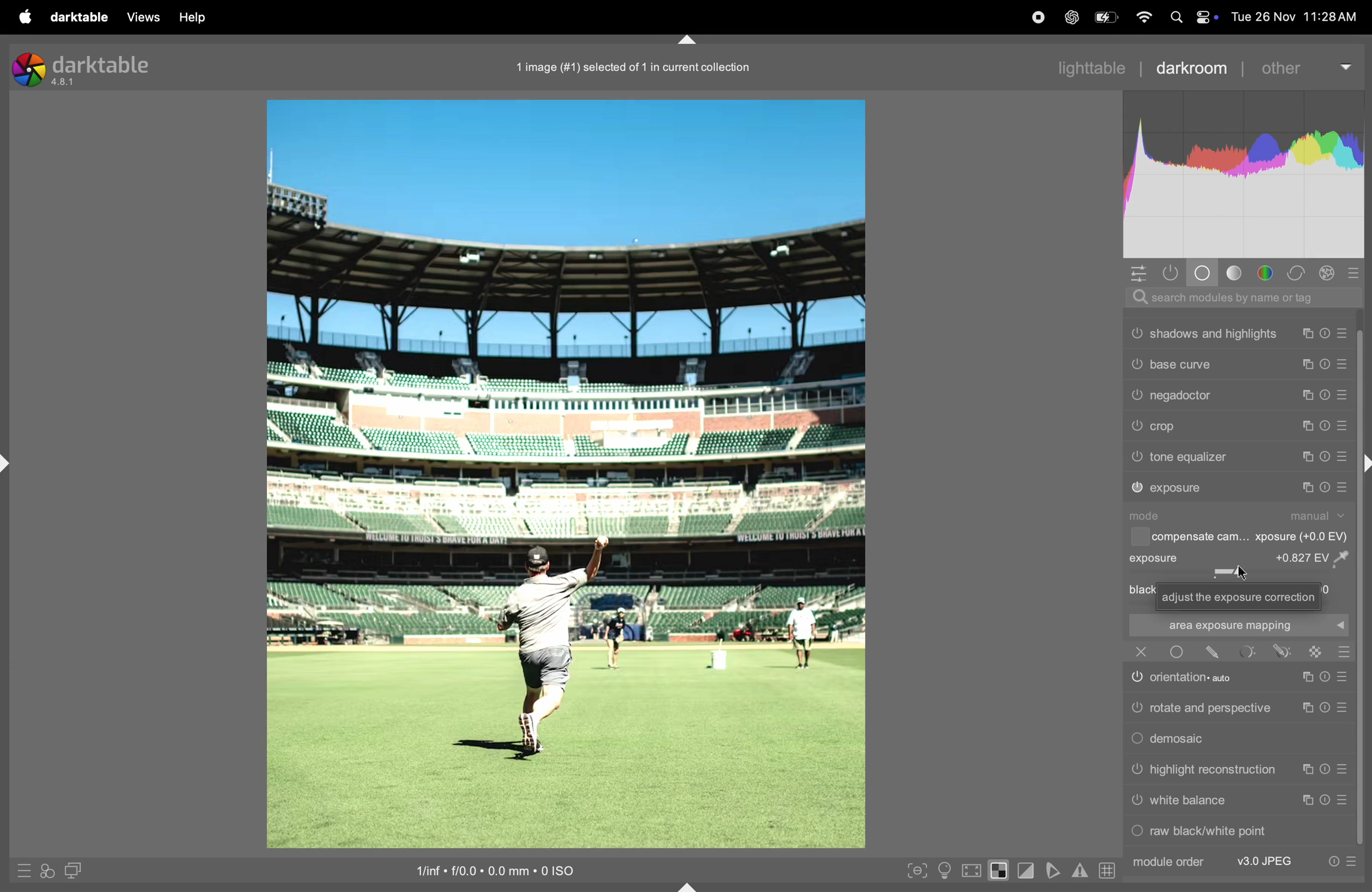  I want to click on Switch on or off, so click(1137, 488).